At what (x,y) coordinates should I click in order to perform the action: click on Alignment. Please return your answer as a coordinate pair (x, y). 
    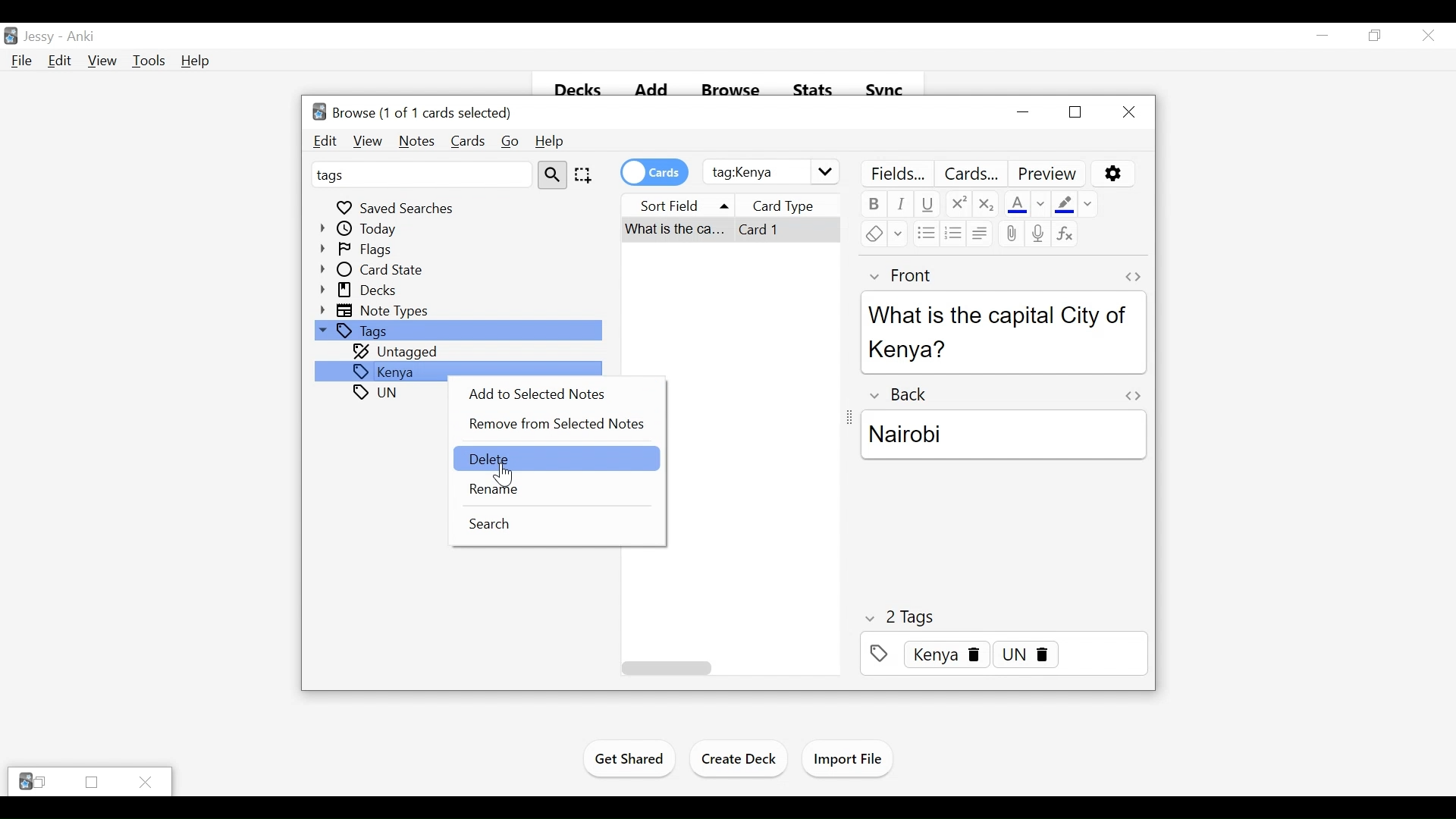
    Looking at the image, I should click on (980, 234).